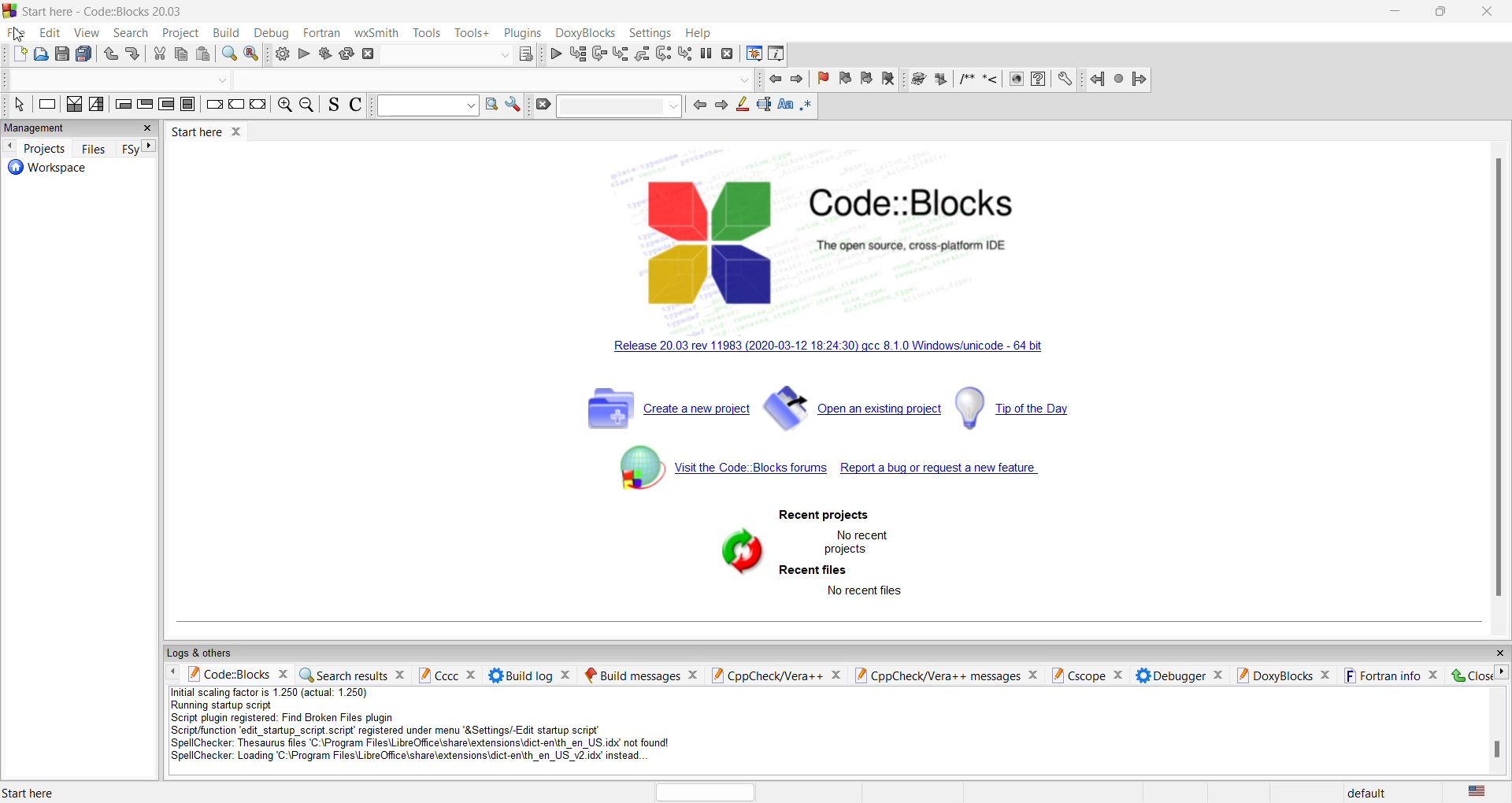 The image size is (1512, 803). I want to click on Doxyblocks, so click(584, 32).